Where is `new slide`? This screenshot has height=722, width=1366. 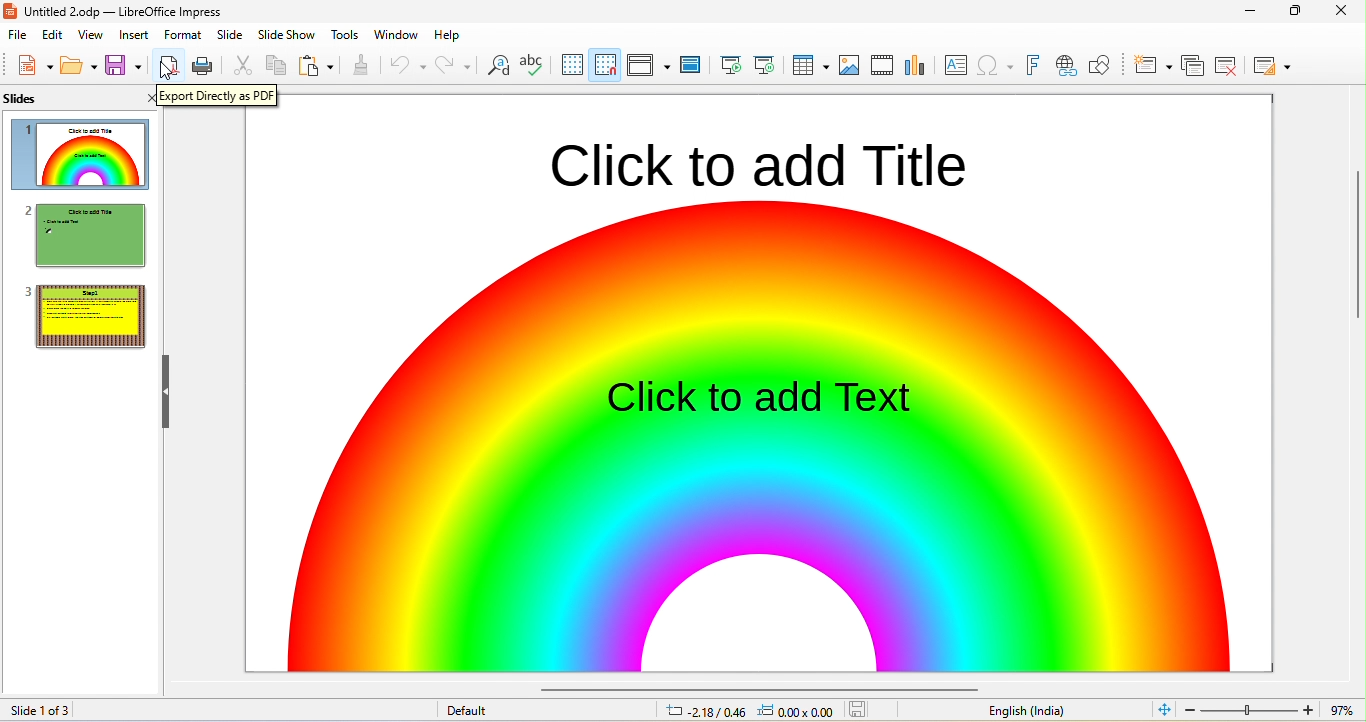
new slide is located at coordinates (1152, 64).